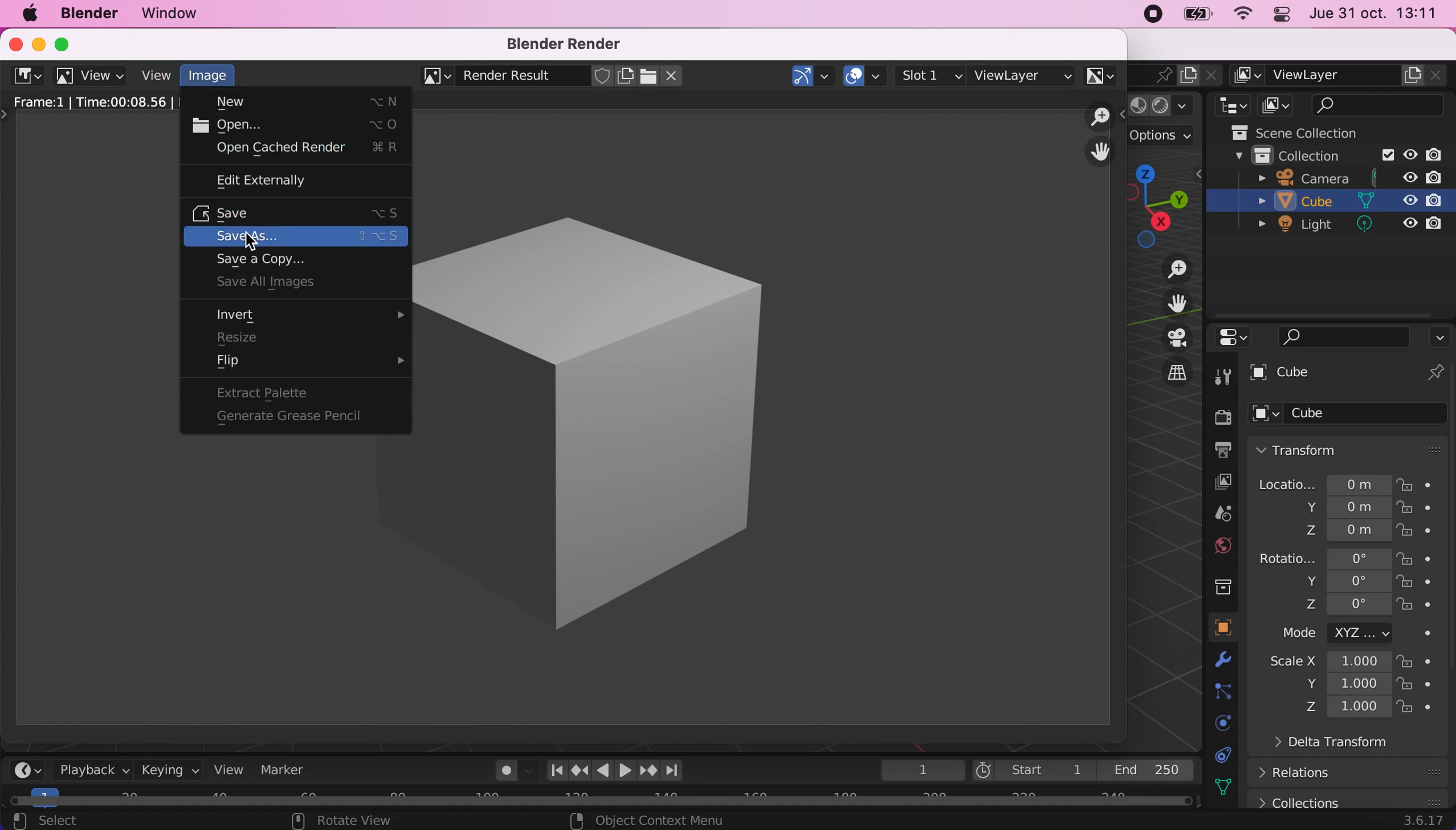 This screenshot has height=830, width=1456. I want to click on keying, so click(169, 771).